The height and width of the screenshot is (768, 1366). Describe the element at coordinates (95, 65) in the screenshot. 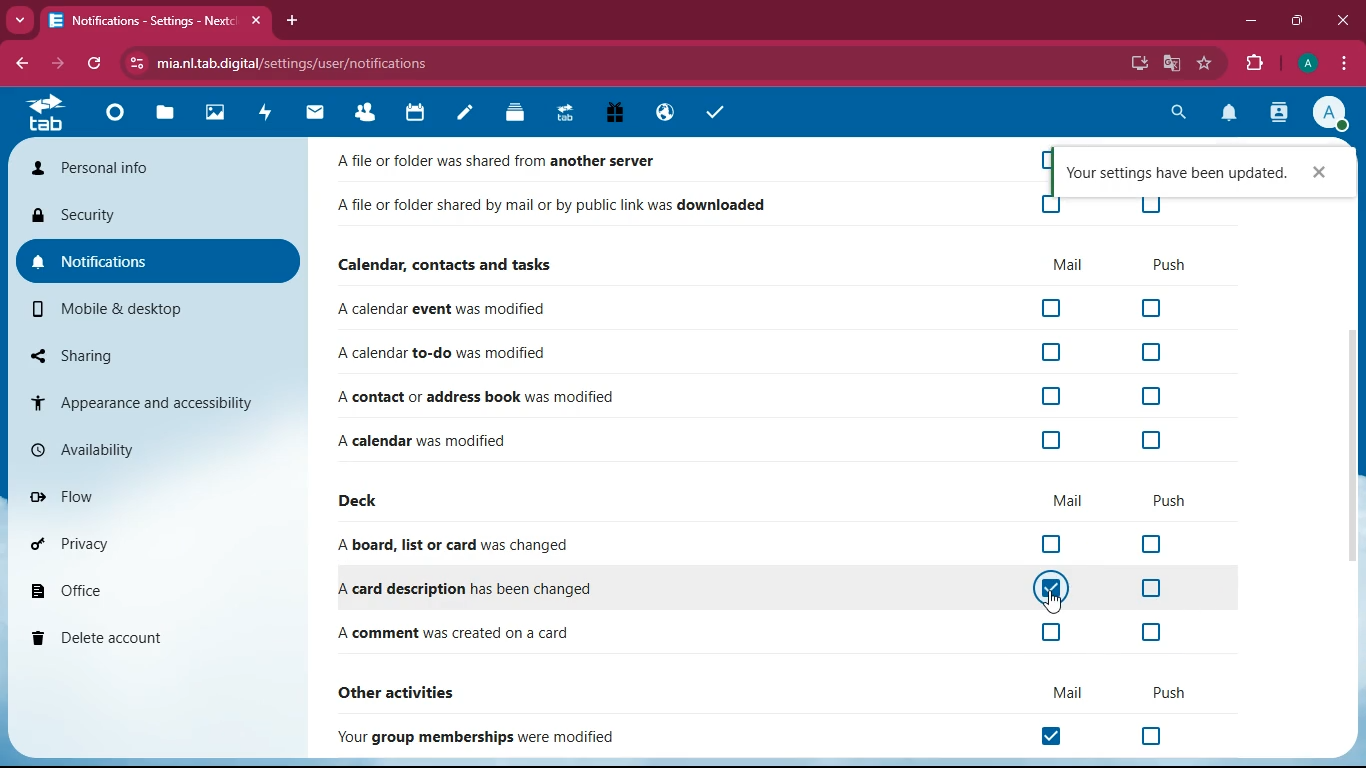

I see `refresh` at that location.